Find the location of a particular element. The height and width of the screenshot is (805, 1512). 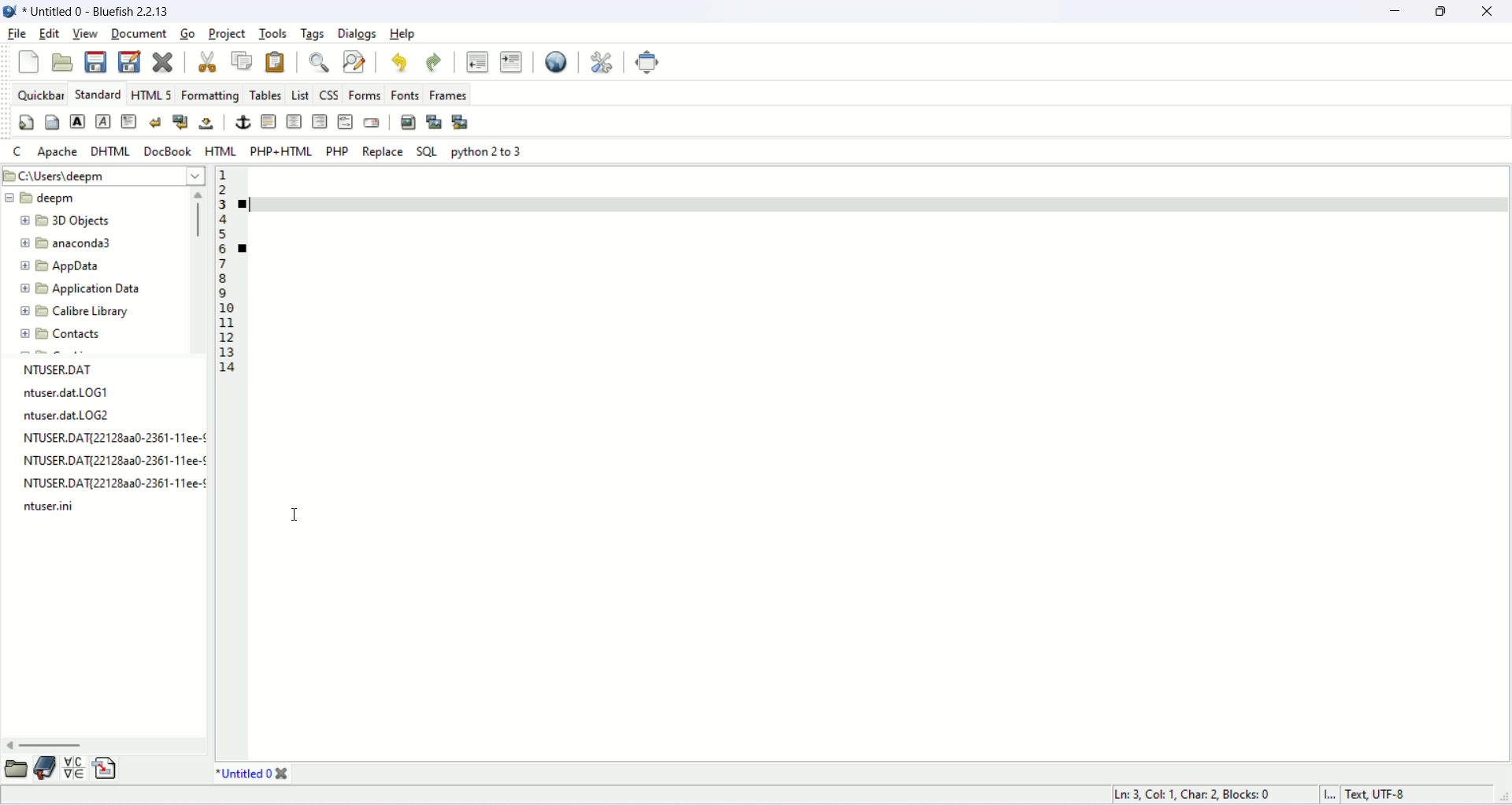

HTML is located at coordinates (220, 150).